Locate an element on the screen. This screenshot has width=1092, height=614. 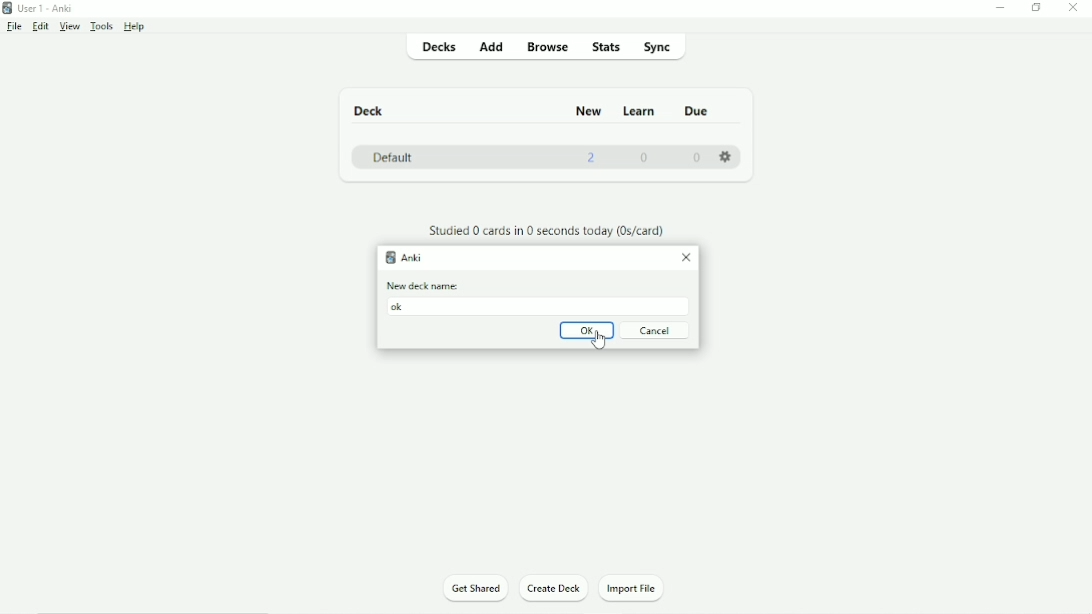
Cursor is located at coordinates (601, 342).